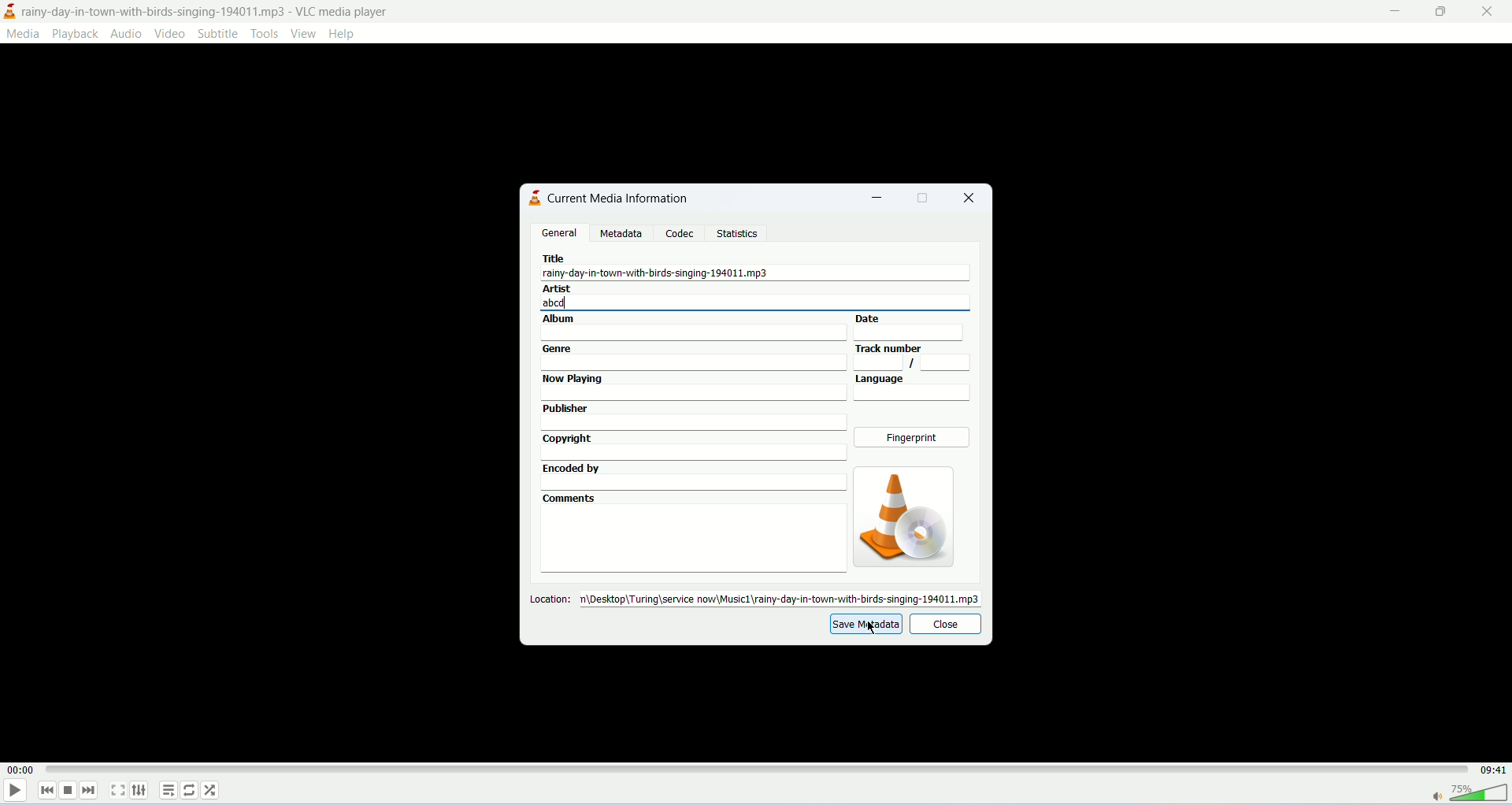 The width and height of the screenshot is (1512, 805). What do you see at coordinates (762, 268) in the screenshot?
I see `title` at bounding box center [762, 268].